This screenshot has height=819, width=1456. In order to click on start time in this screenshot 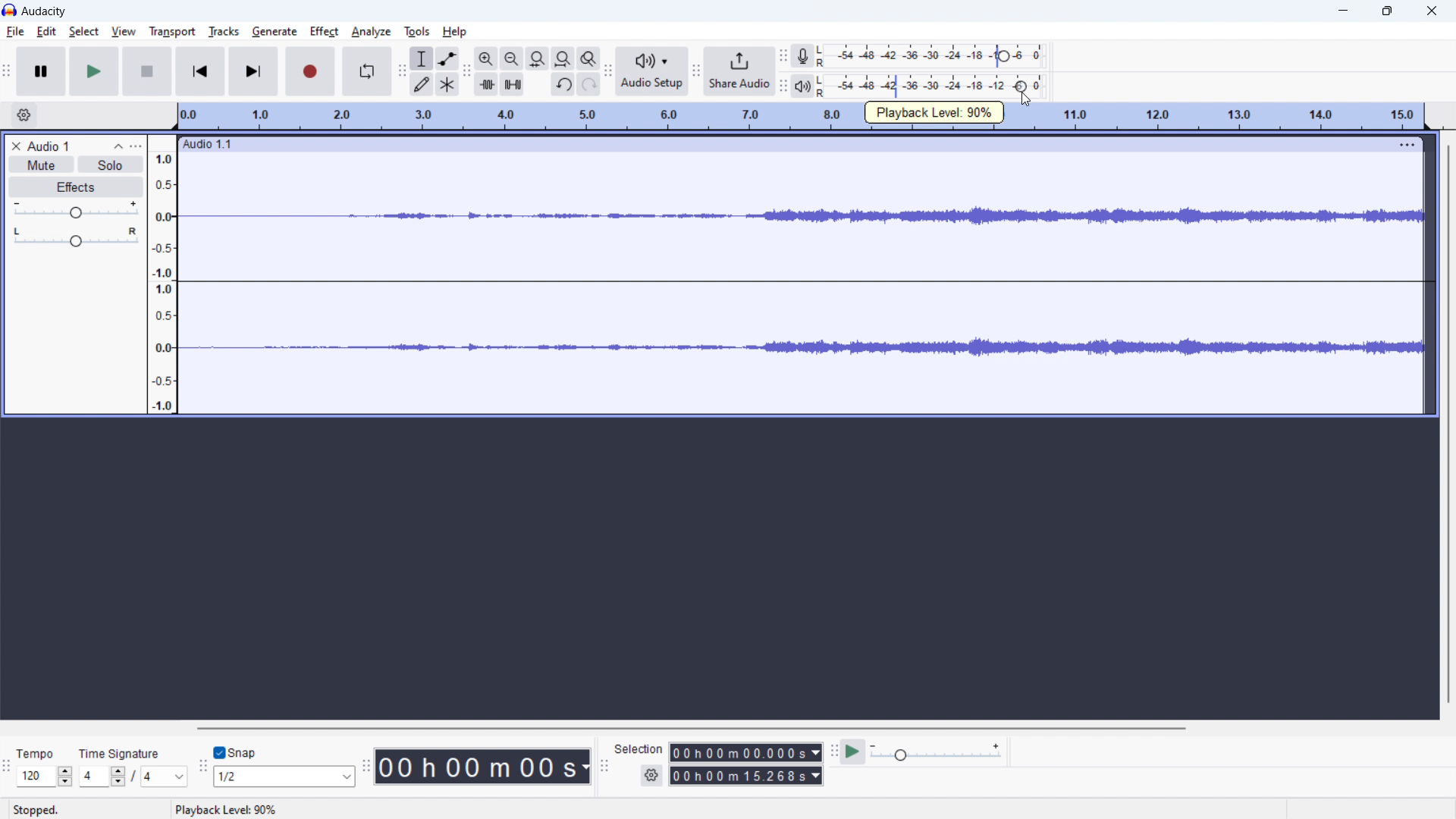, I will do `click(744, 752)`.